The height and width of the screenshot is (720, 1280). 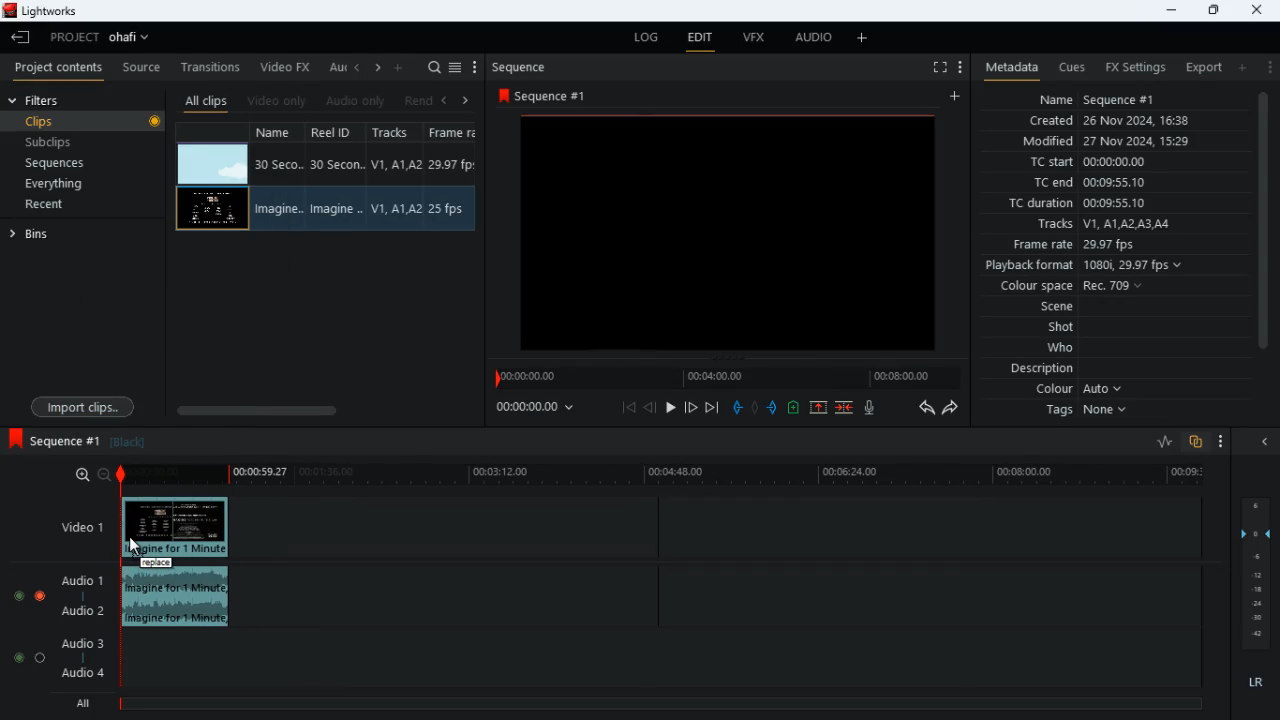 What do you see at coordinates (865, 37) in the screenshot?
I see `more` at bounding box center [865, 37].